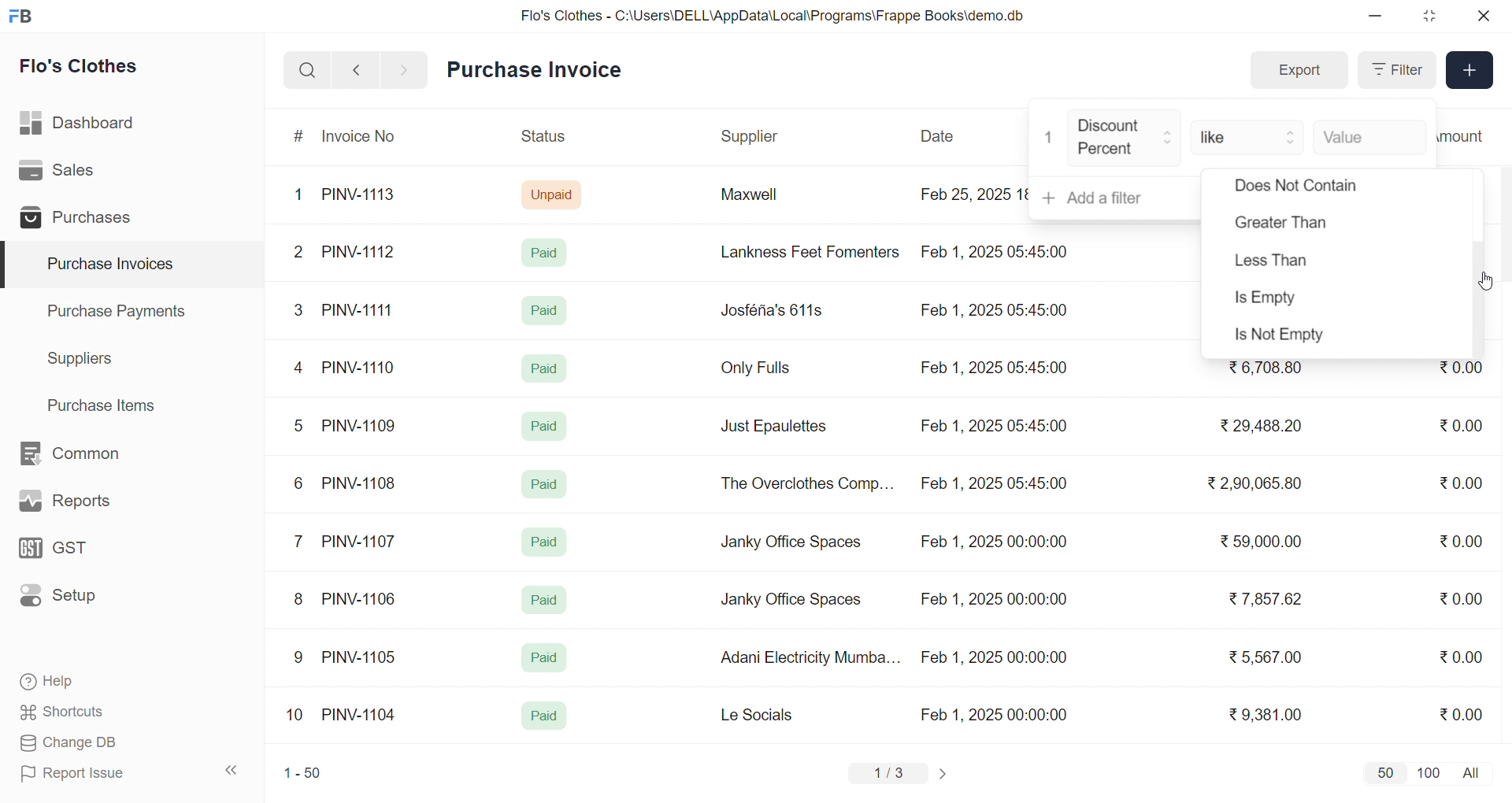 The height and width of the screenshot is (803, 1512). What do you see at coordinates (82, 553) in the screenshot?
I see `GST` at bounding box center [82, 553].